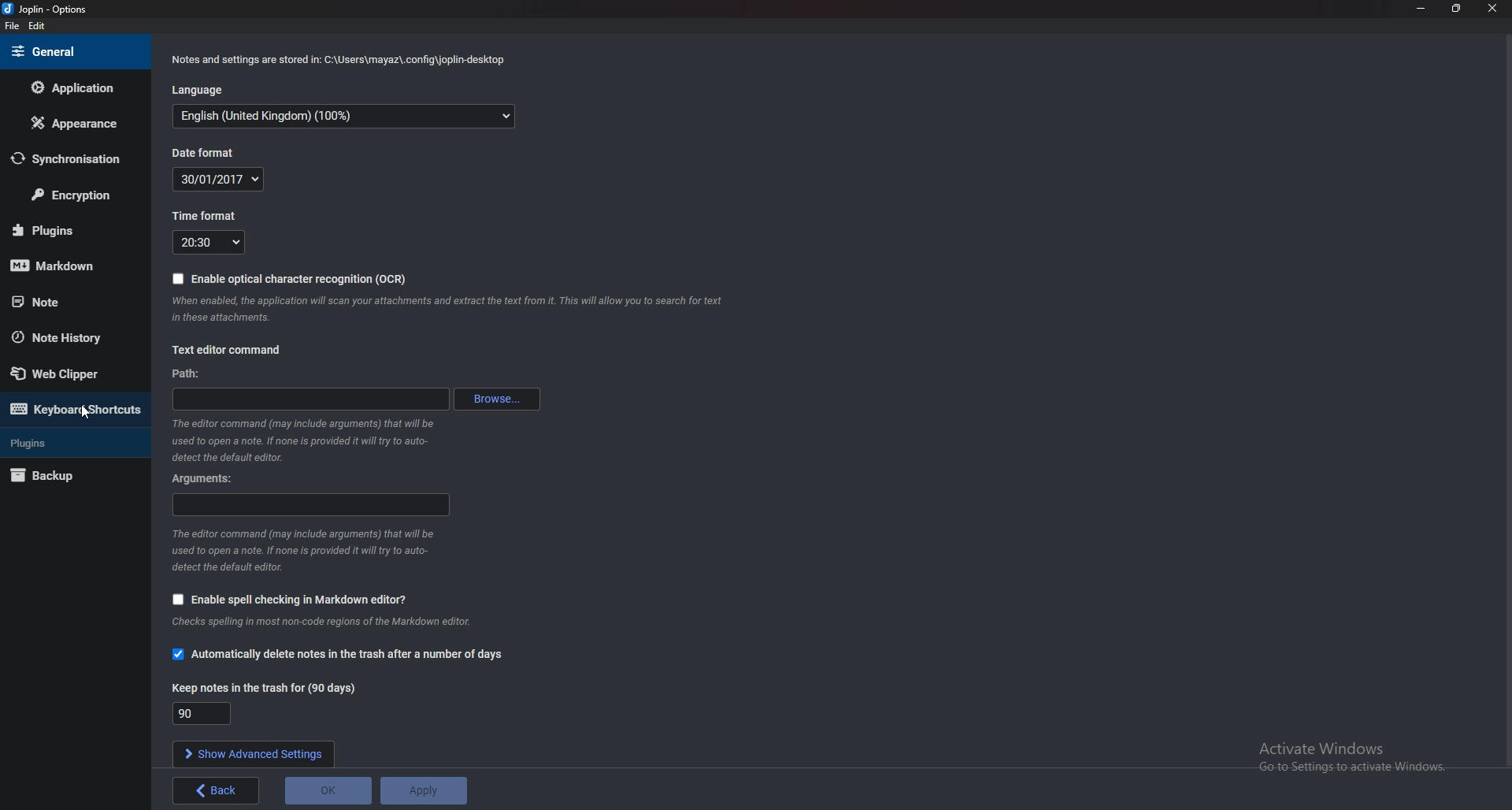 The image size is (1512, 810). Describe the element at coordinates (297, 551) in the screenshot. I see `The editor command (may include arguments) that will be
used to open a note. If none is provided it will ry to auto-
detect the default editor.` at that location.